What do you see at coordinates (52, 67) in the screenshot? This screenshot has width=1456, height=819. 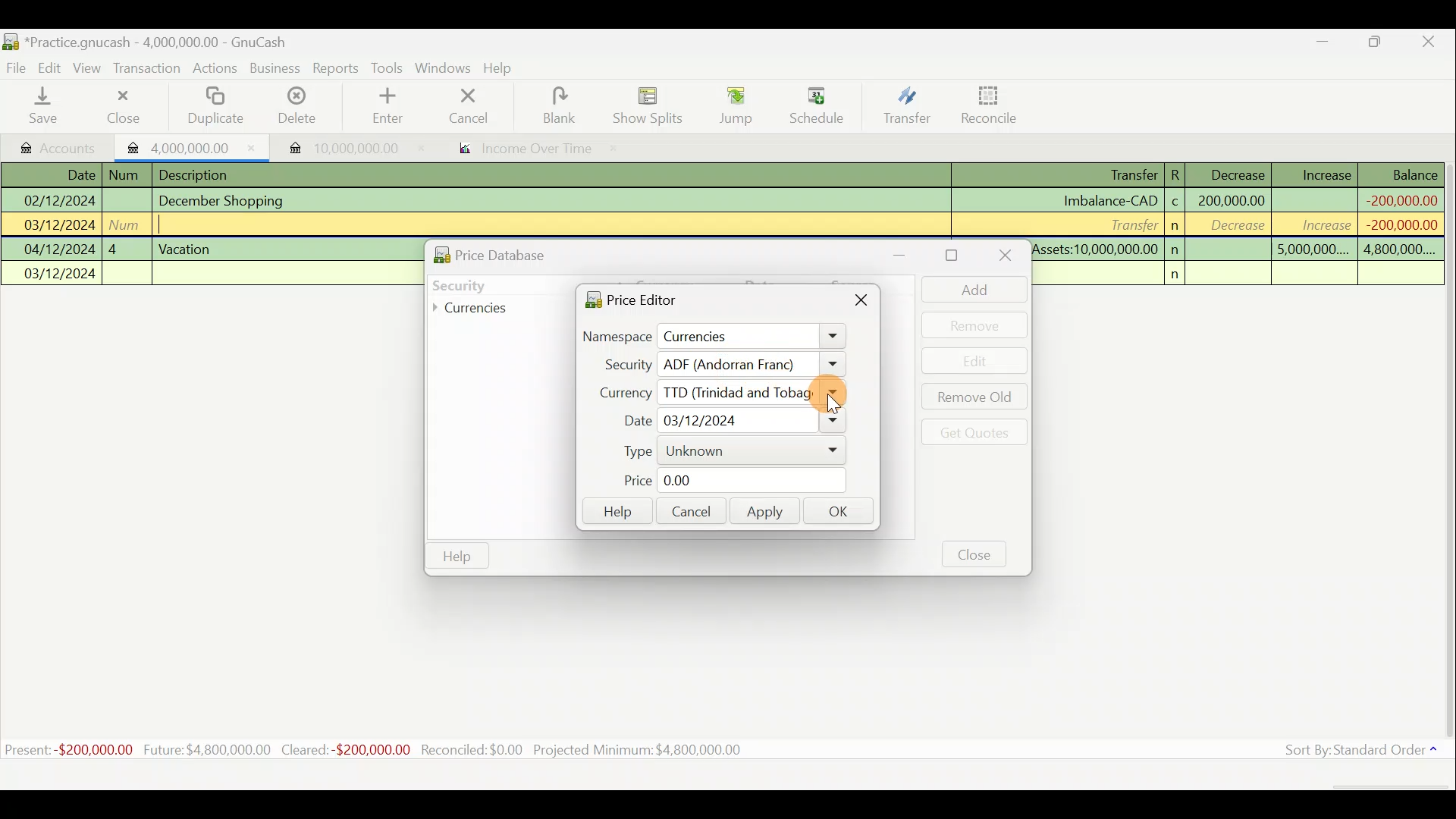 I see `Edit` at bounding box center [52, 67].